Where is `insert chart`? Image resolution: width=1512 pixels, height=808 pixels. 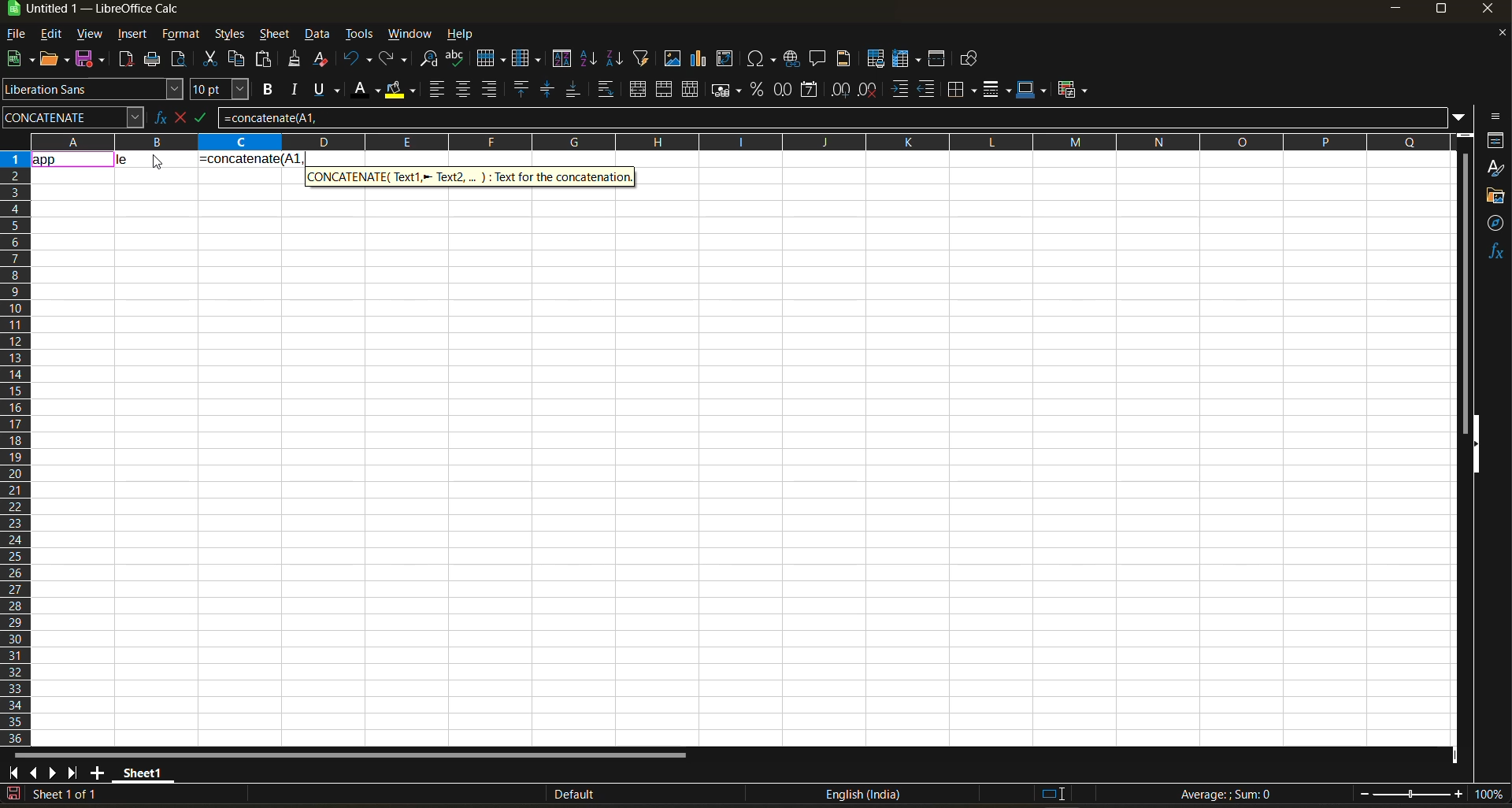 insert chart is located at coordinates (699, 58).